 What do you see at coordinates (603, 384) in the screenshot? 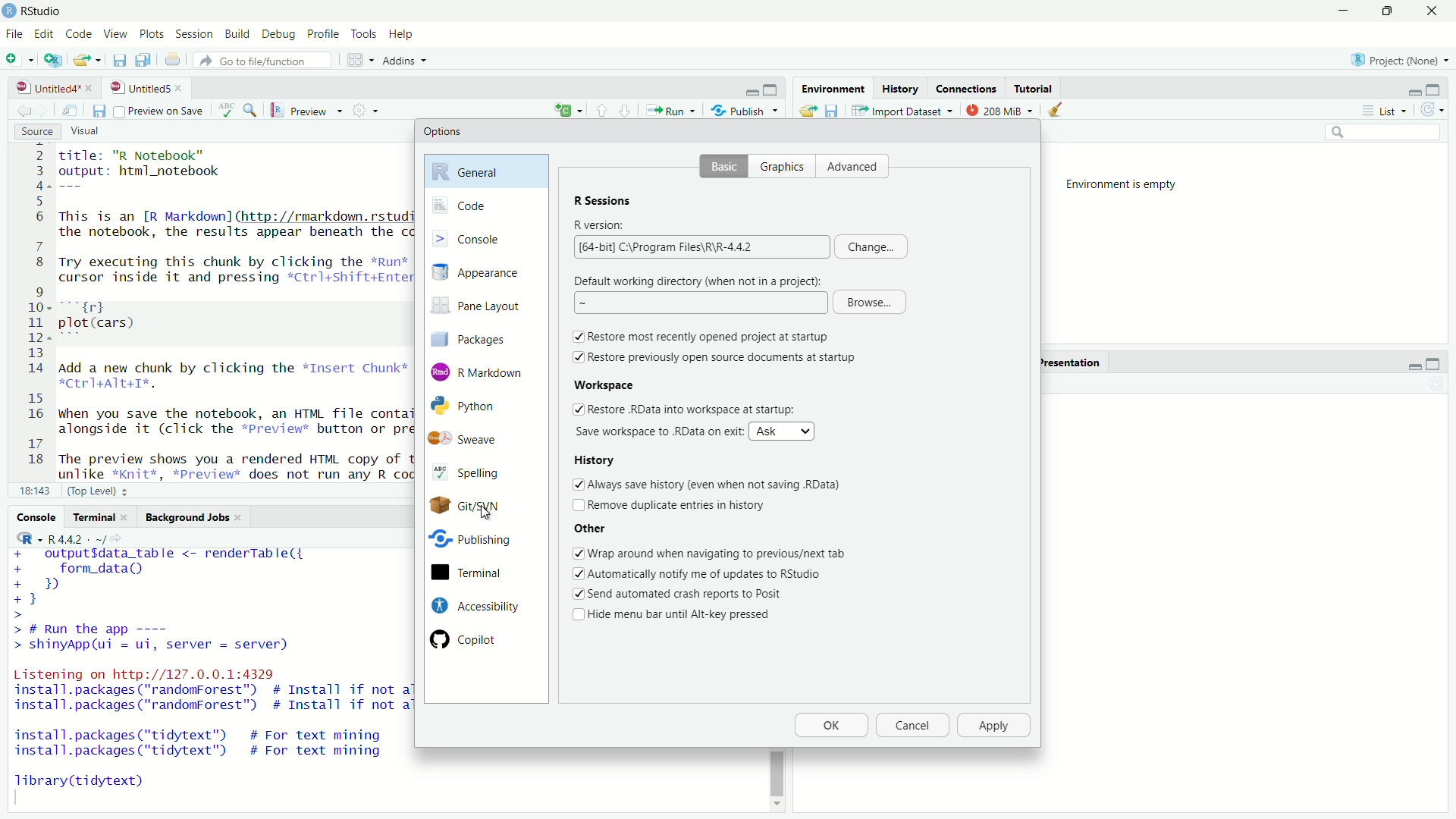
I see `Workspace` at bounding box center [603, 384].